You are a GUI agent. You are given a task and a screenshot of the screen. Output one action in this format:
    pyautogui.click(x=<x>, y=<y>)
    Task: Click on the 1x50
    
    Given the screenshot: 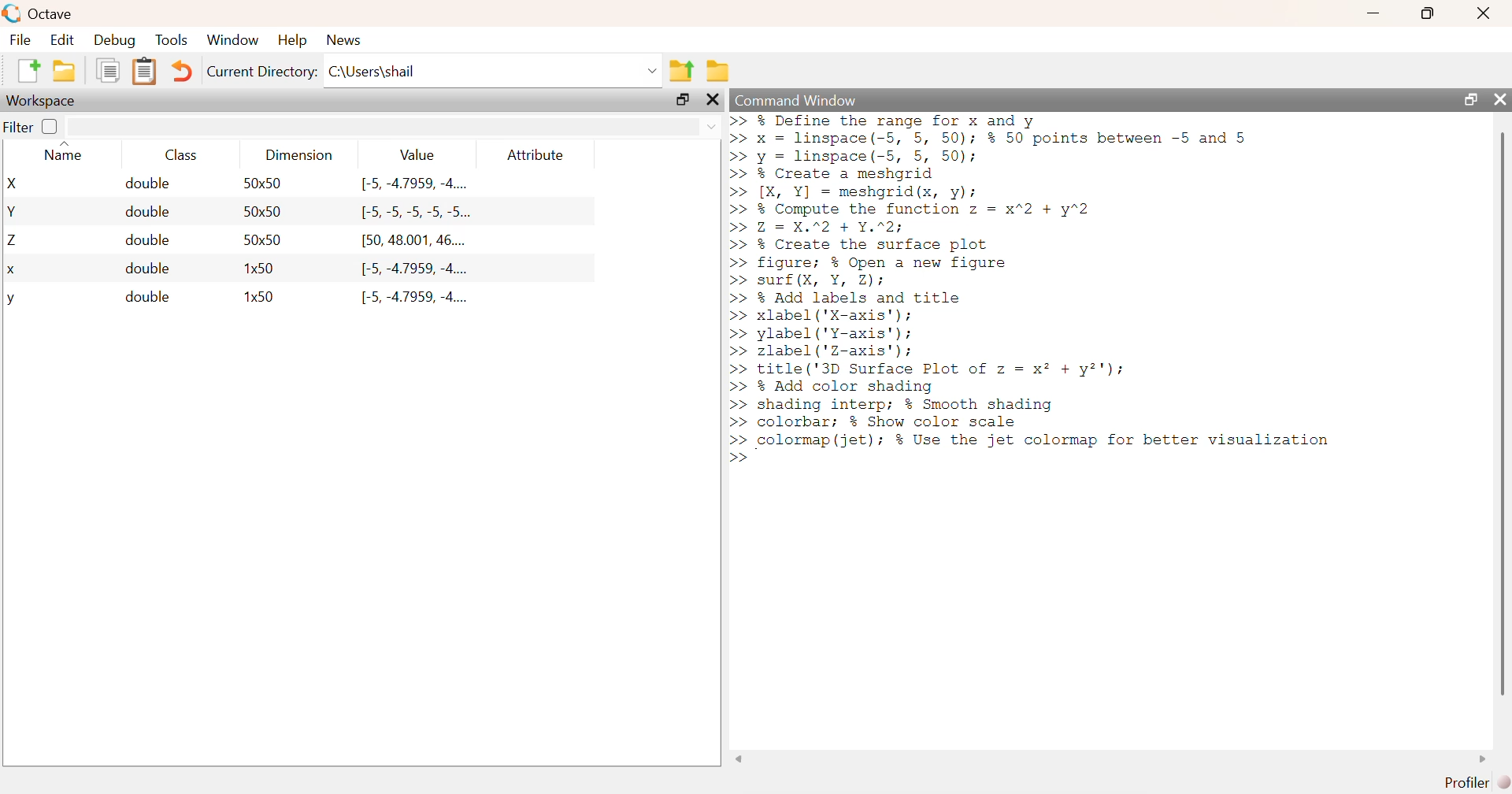 What is the action you would take?
    pyautogui.click(x=261, y=268)
    